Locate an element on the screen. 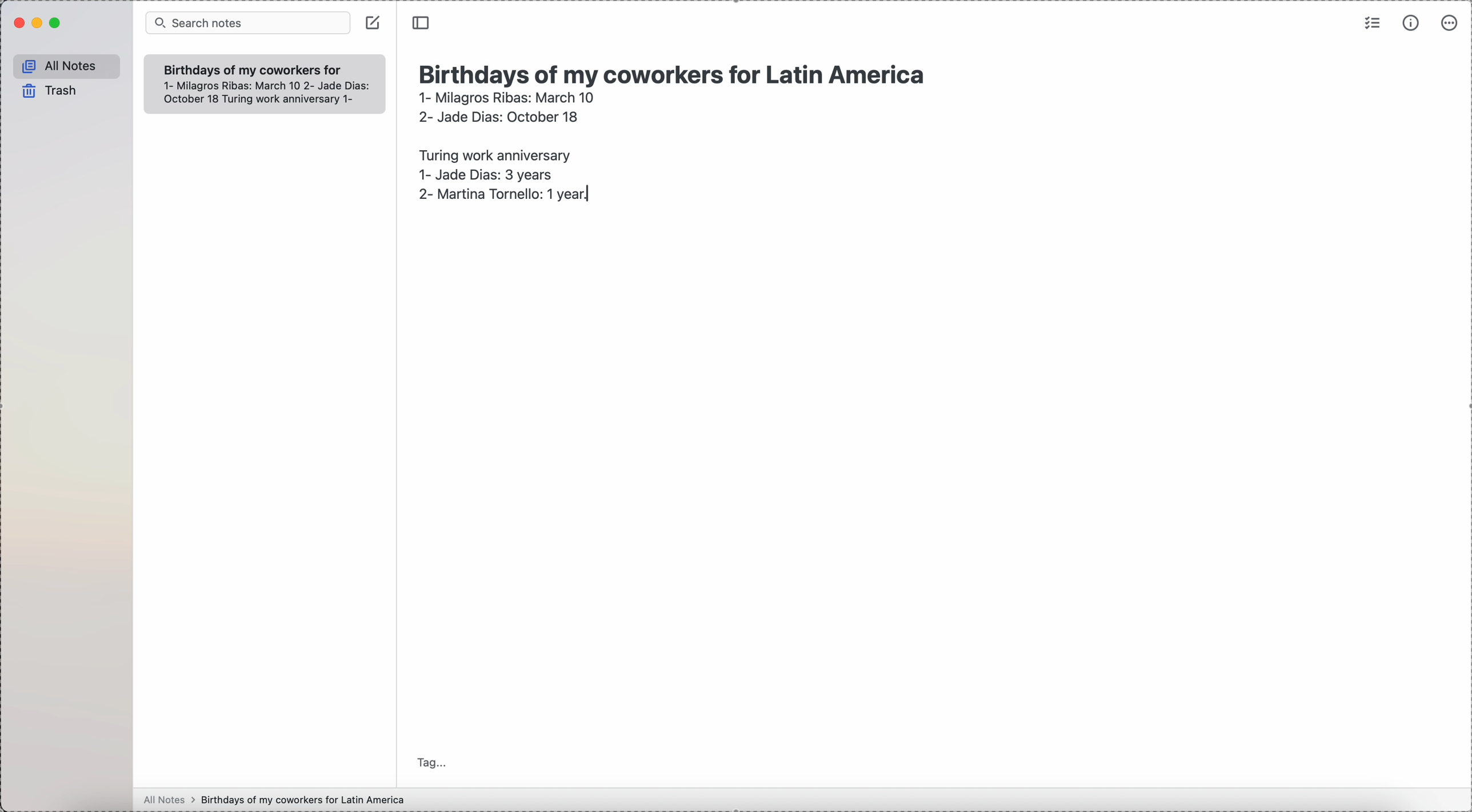 This screenshot has width=1472, height=812. 2- Jade Dias: October 18 is located at coordinates (497, 115).